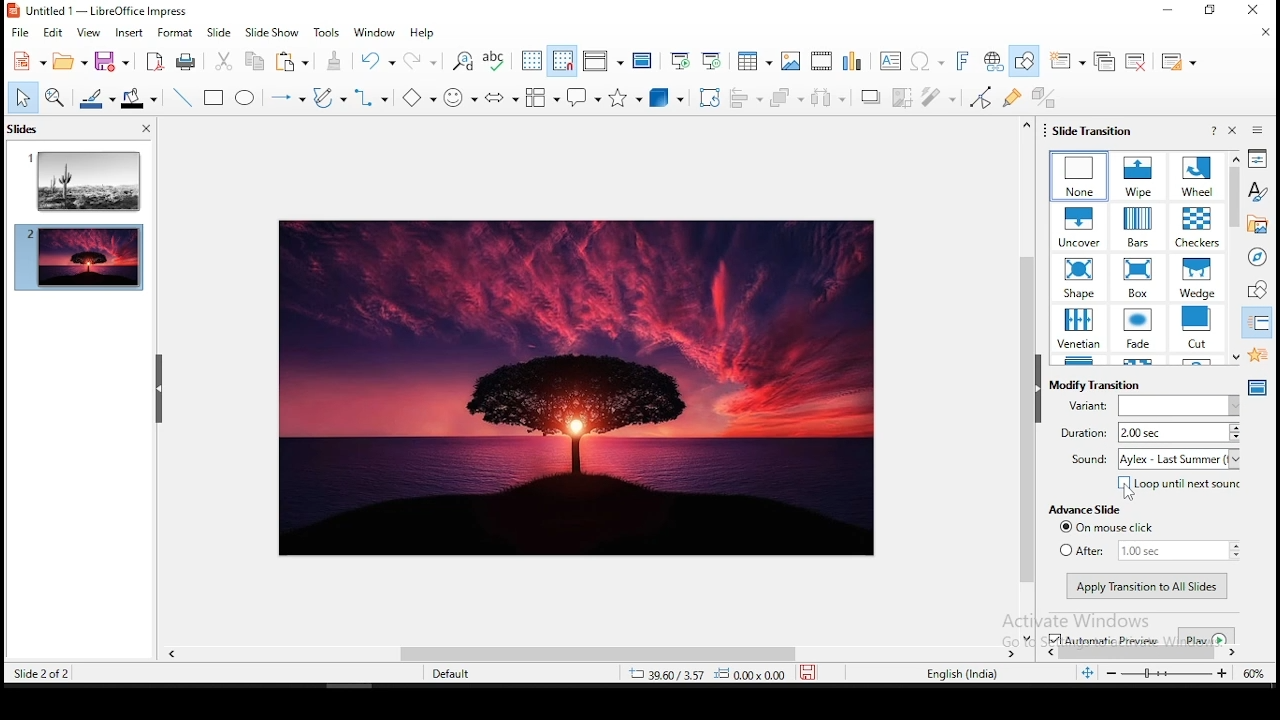 This screenshot has height=720, width=1280. Describe the element at coordinates (709, 97) in the screenshot. I see `crop tool` at that location.